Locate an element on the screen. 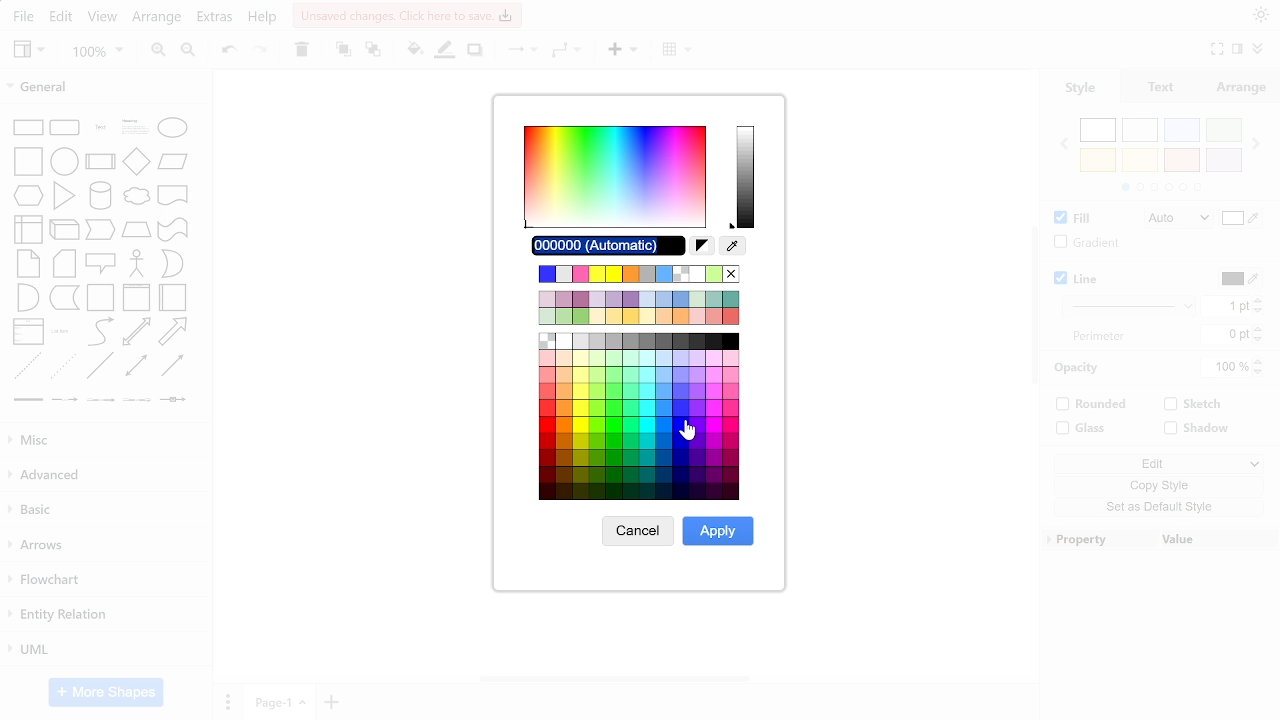 The width and height of the screenshot is (1280, 720). view is located at coordinates (30, 51).